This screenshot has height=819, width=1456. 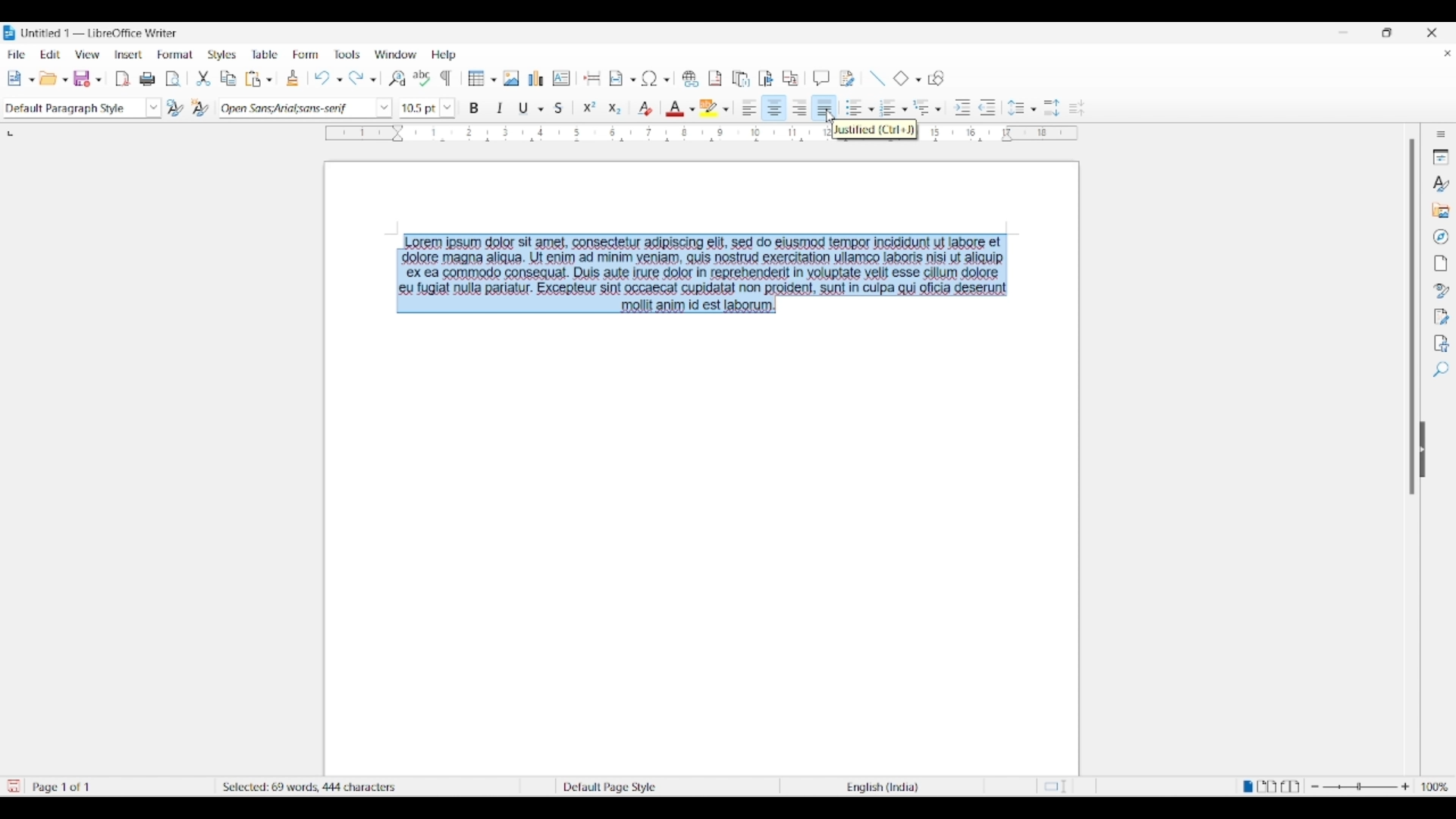 I want to click on Insert chart, so click(x=536, y=78).